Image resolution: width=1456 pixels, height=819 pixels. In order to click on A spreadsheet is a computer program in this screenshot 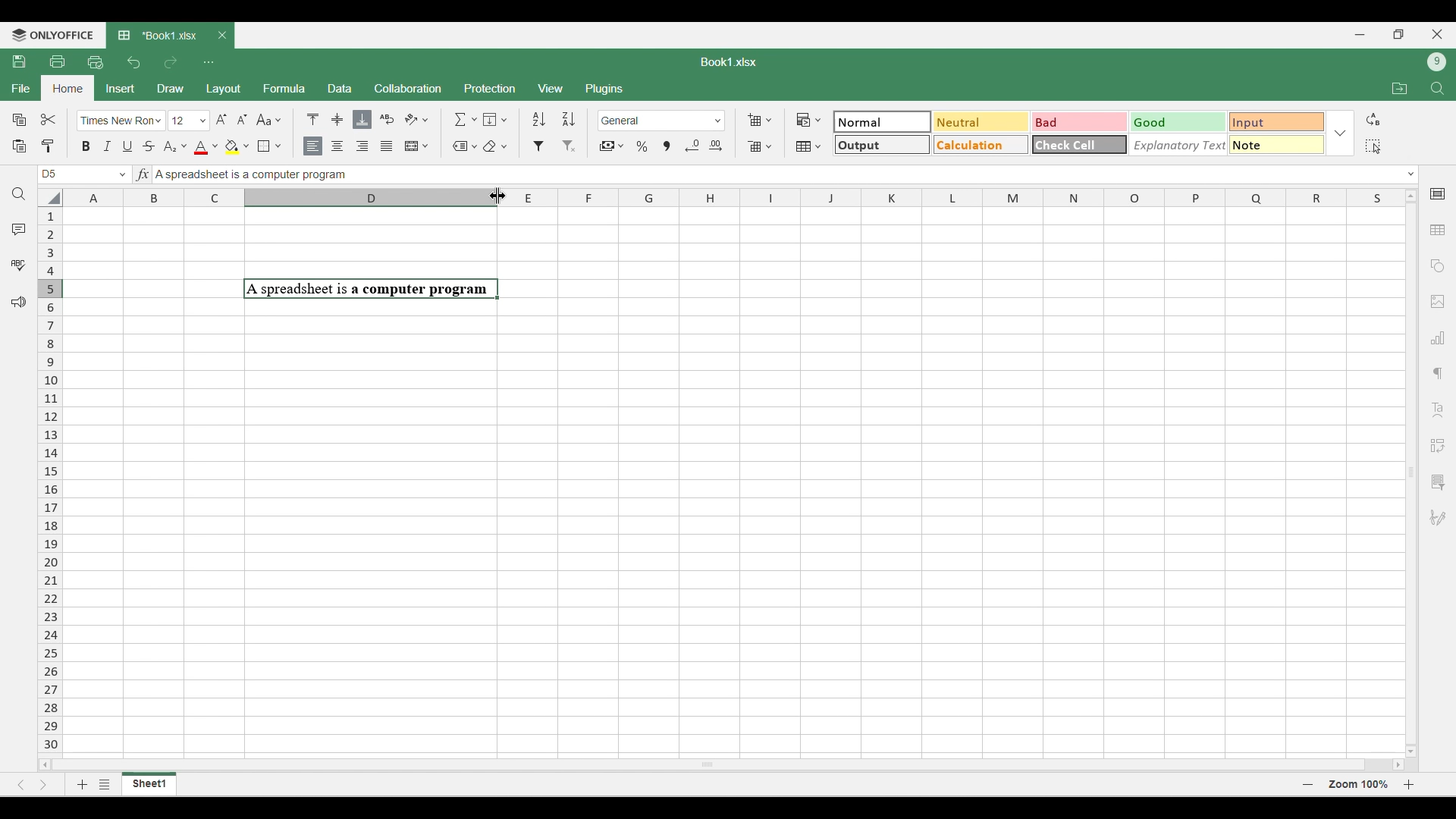, I will do `click(252, 176)`.